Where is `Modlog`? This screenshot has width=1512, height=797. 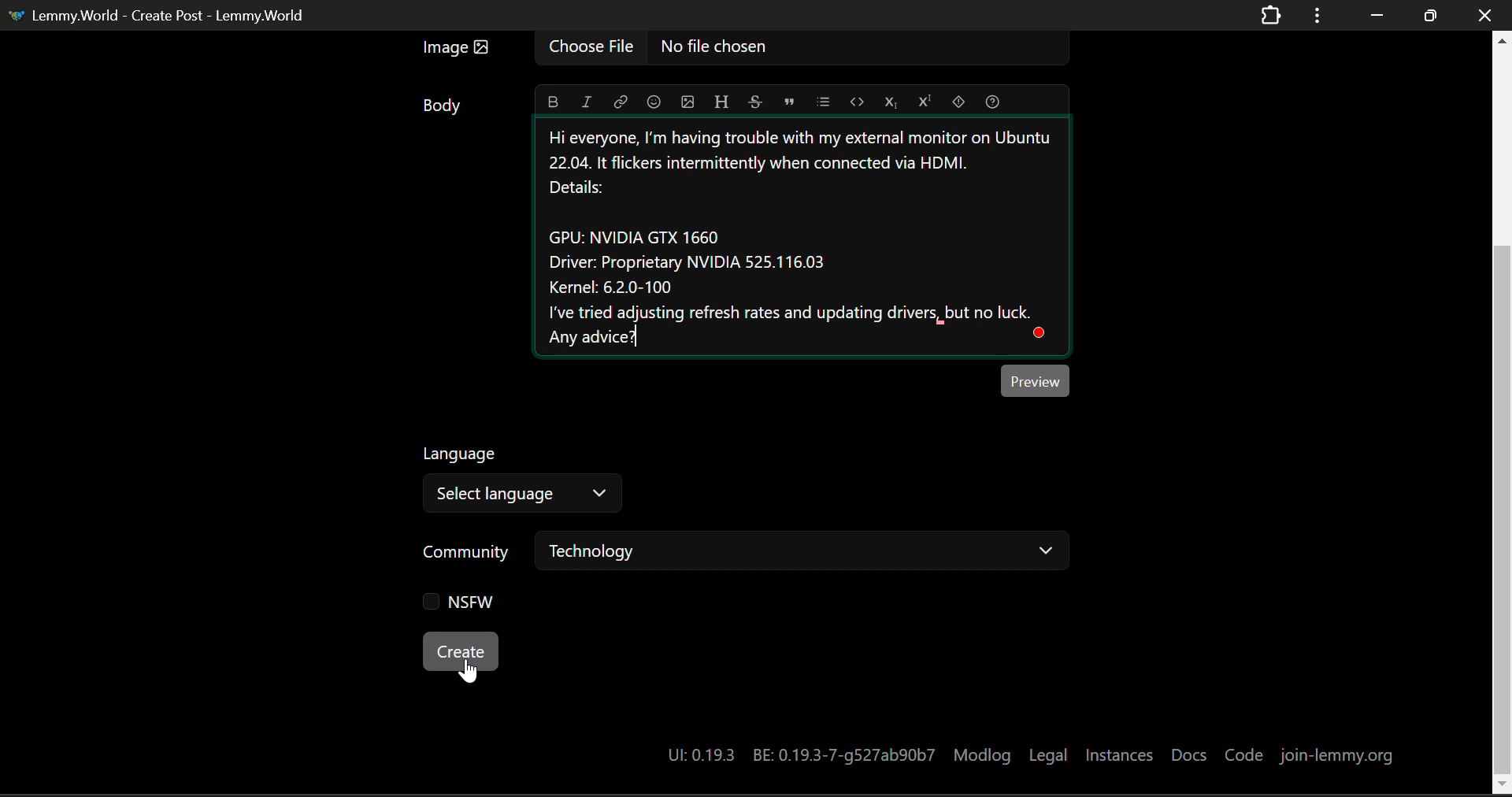
Modlog is located at coordinates (984, 753).